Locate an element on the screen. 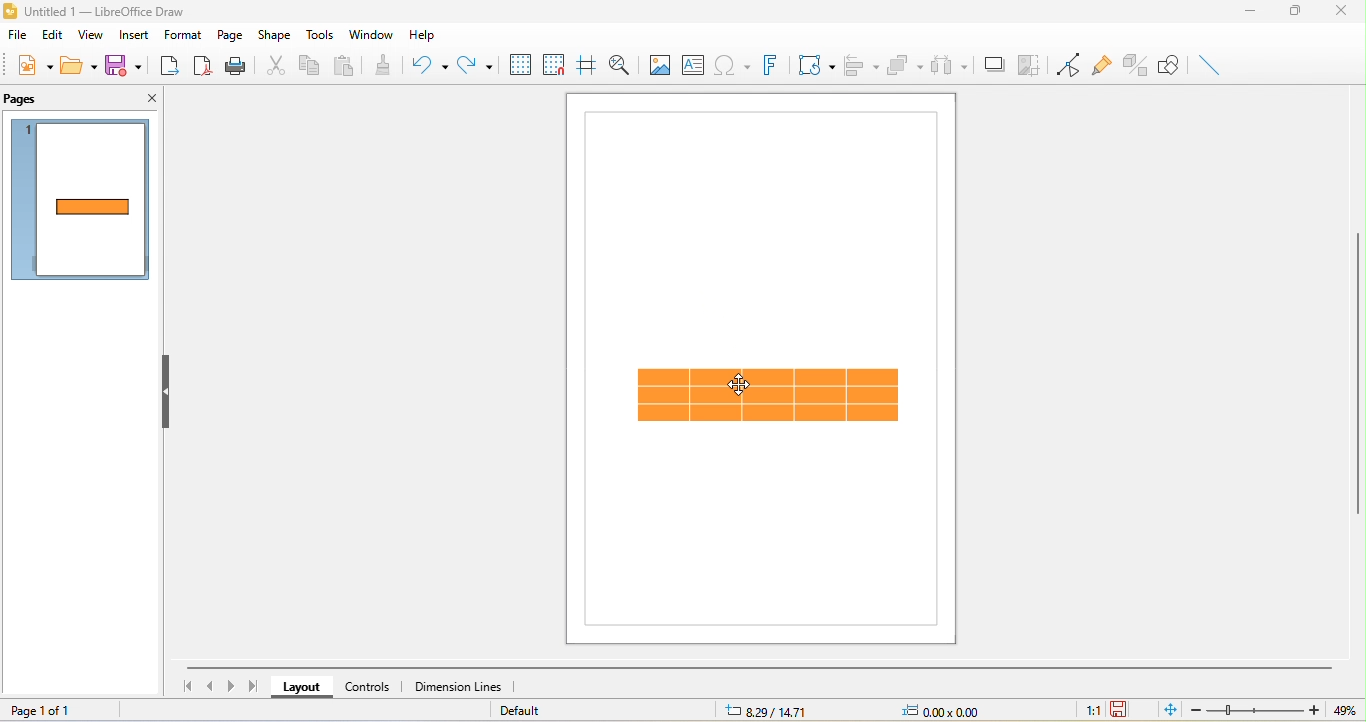 The image size is (1366, 722). vertical scroll bar is located at coordinates (1357, 373).